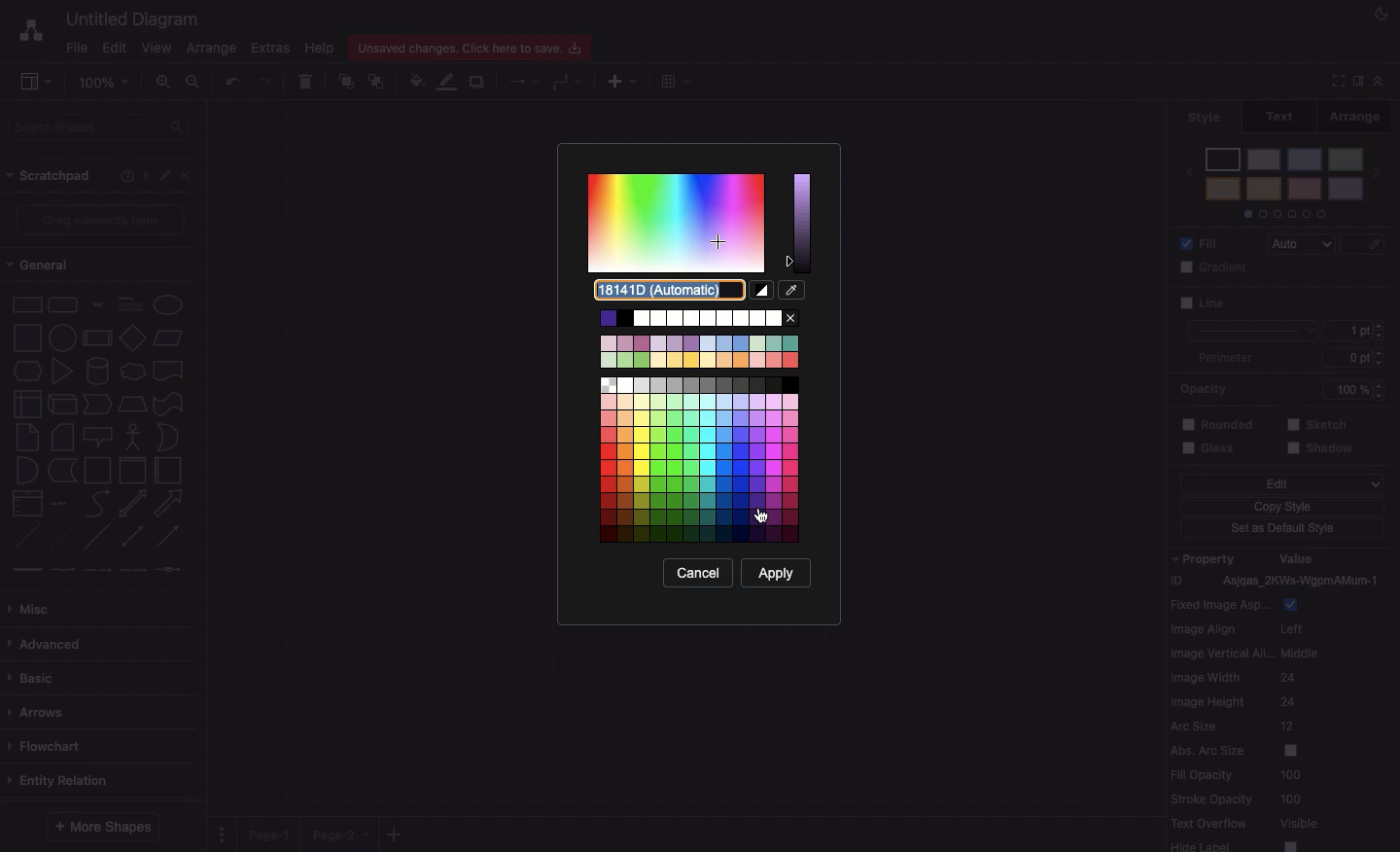 This screenshot has width=1400, height=852. I want to click on ellipse, so click(168, 302).